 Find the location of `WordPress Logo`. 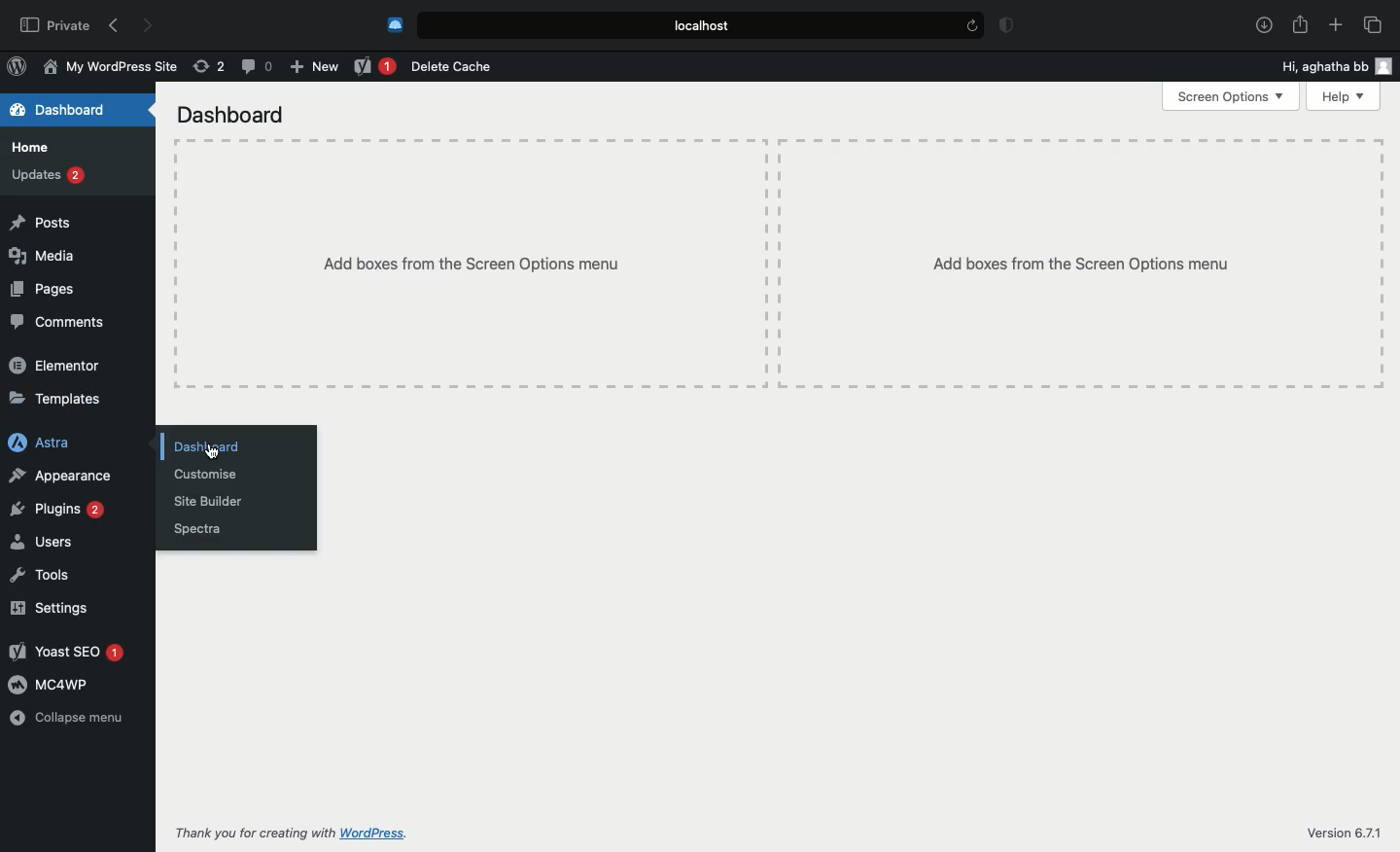

WordPress Logo is located at coordinates (17, 68).